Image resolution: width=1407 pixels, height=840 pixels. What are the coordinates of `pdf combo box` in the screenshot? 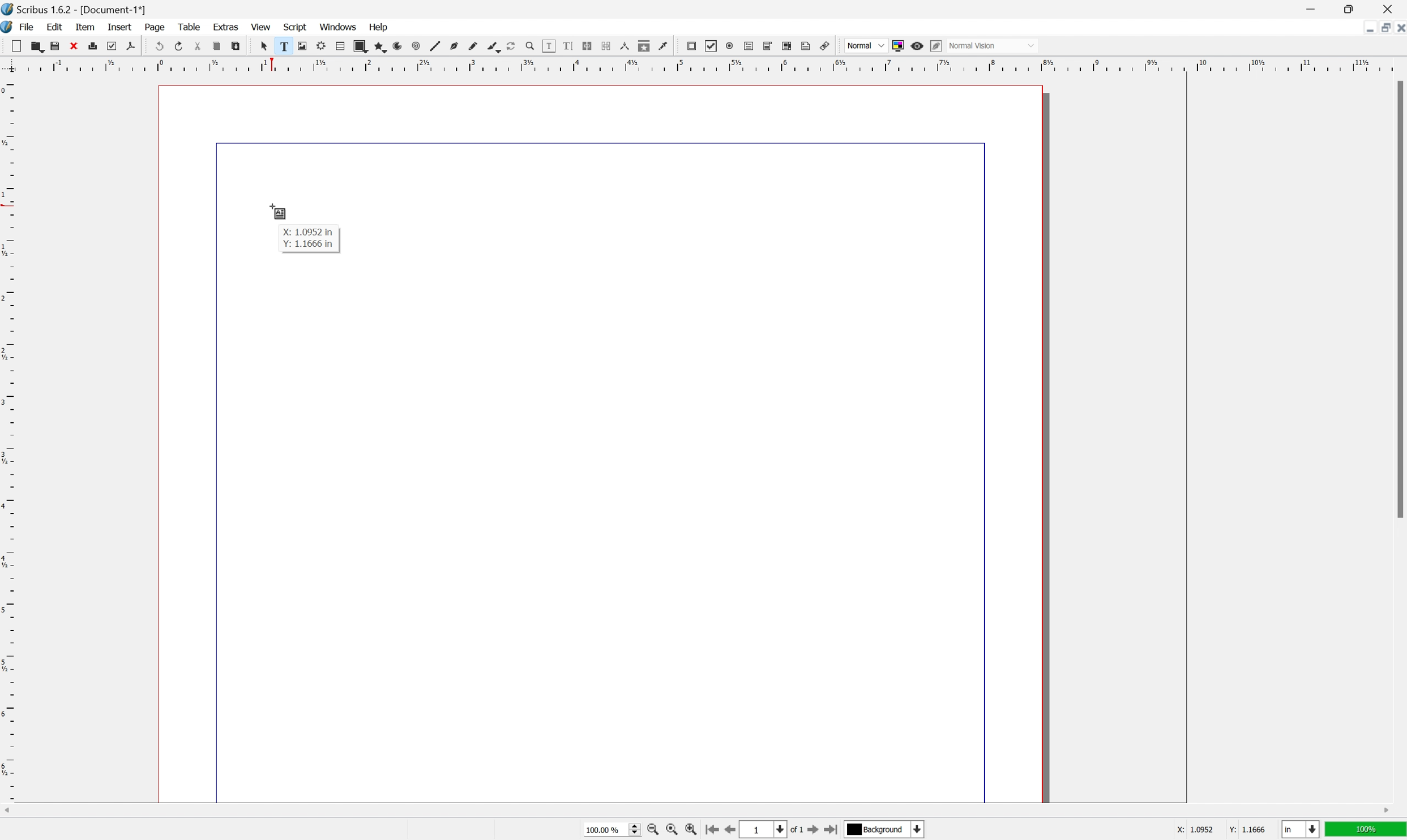 It's located at (767, 45).